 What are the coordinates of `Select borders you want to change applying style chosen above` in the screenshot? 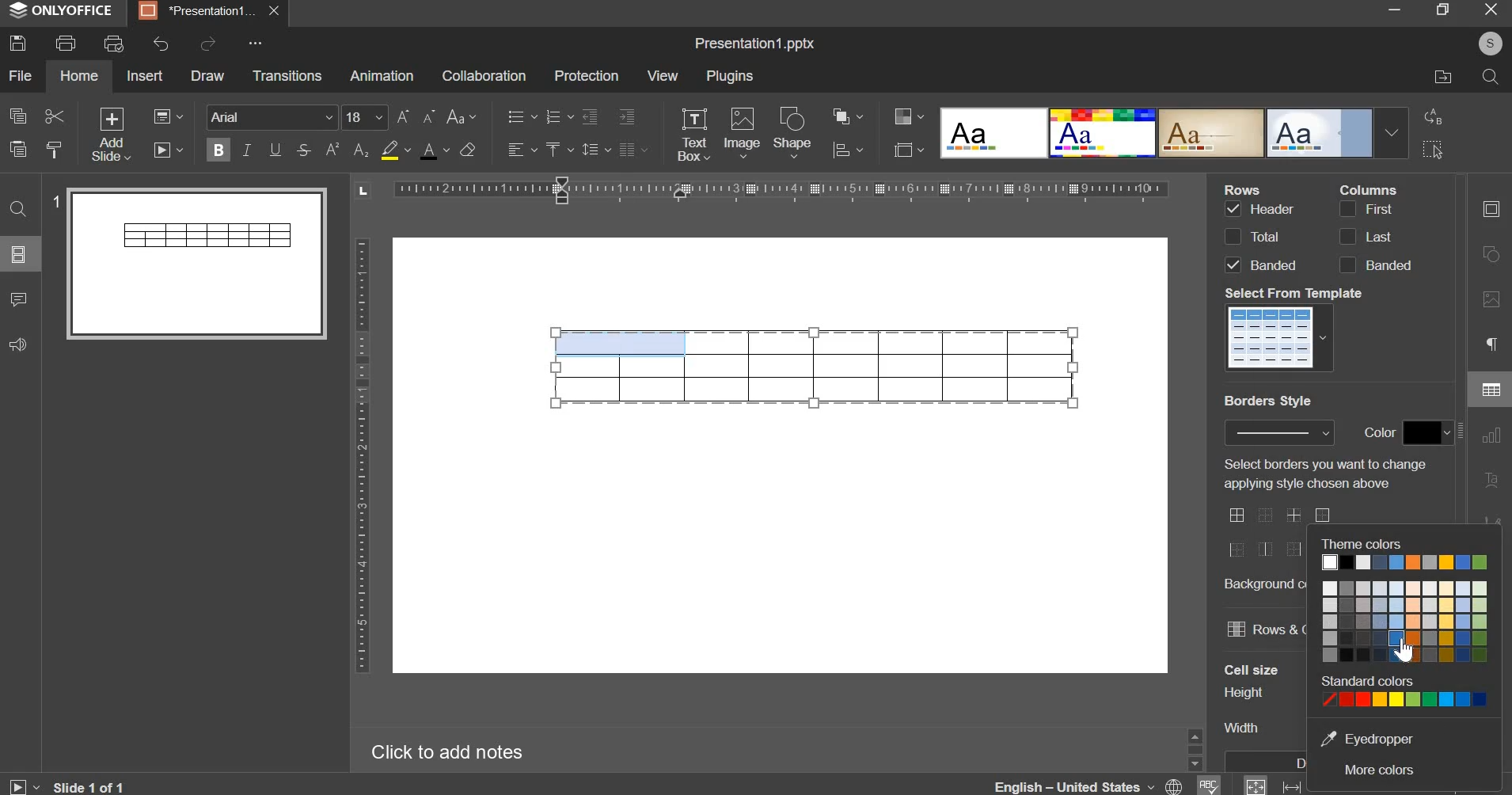 It's located at (1322, 474).